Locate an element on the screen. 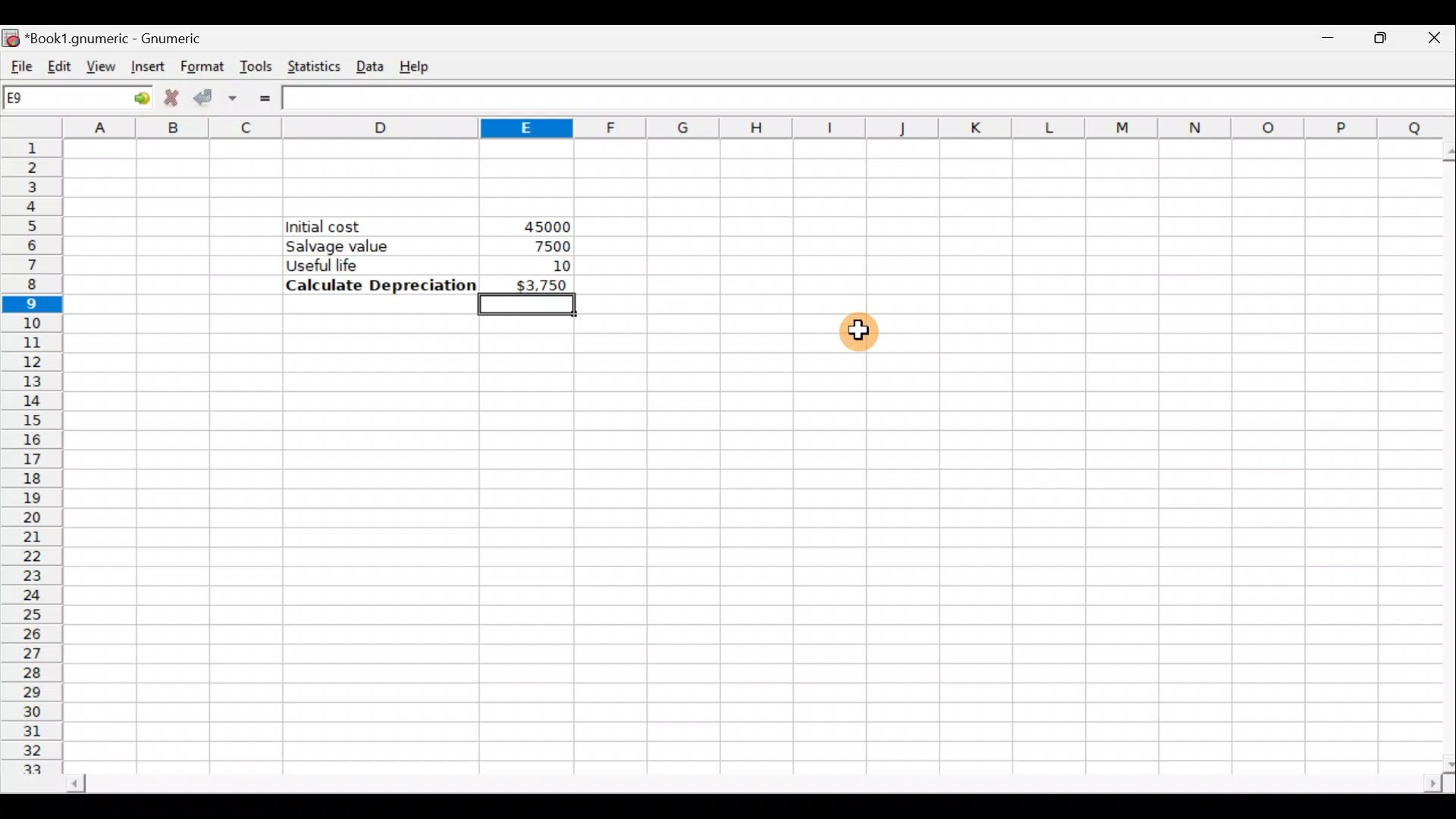 This screenshot has width=1456, height=819. Close is located at coordinates (1425, 42).